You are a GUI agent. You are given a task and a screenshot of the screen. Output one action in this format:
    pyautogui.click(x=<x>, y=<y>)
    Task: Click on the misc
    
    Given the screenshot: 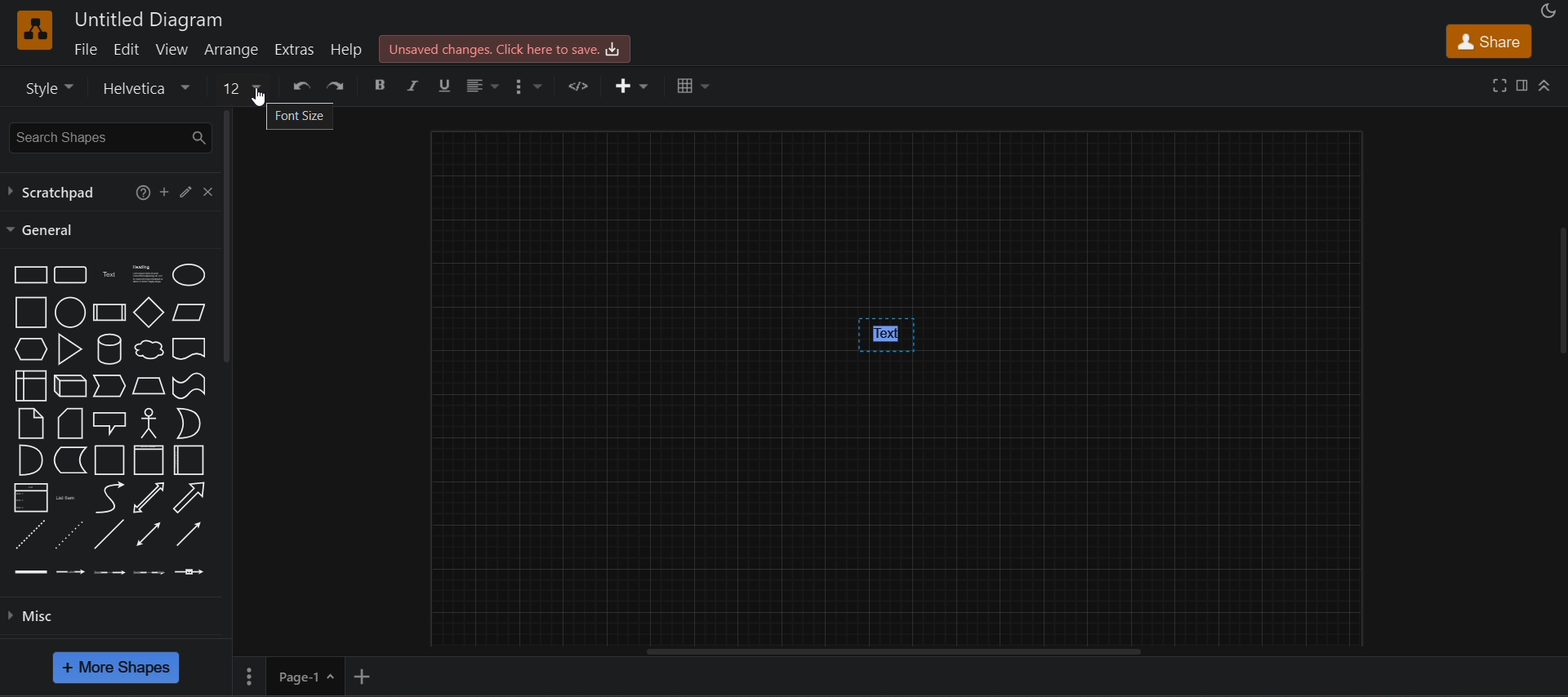 What is the action you would take?
    pyautogui.click(x=30, y=616)
    